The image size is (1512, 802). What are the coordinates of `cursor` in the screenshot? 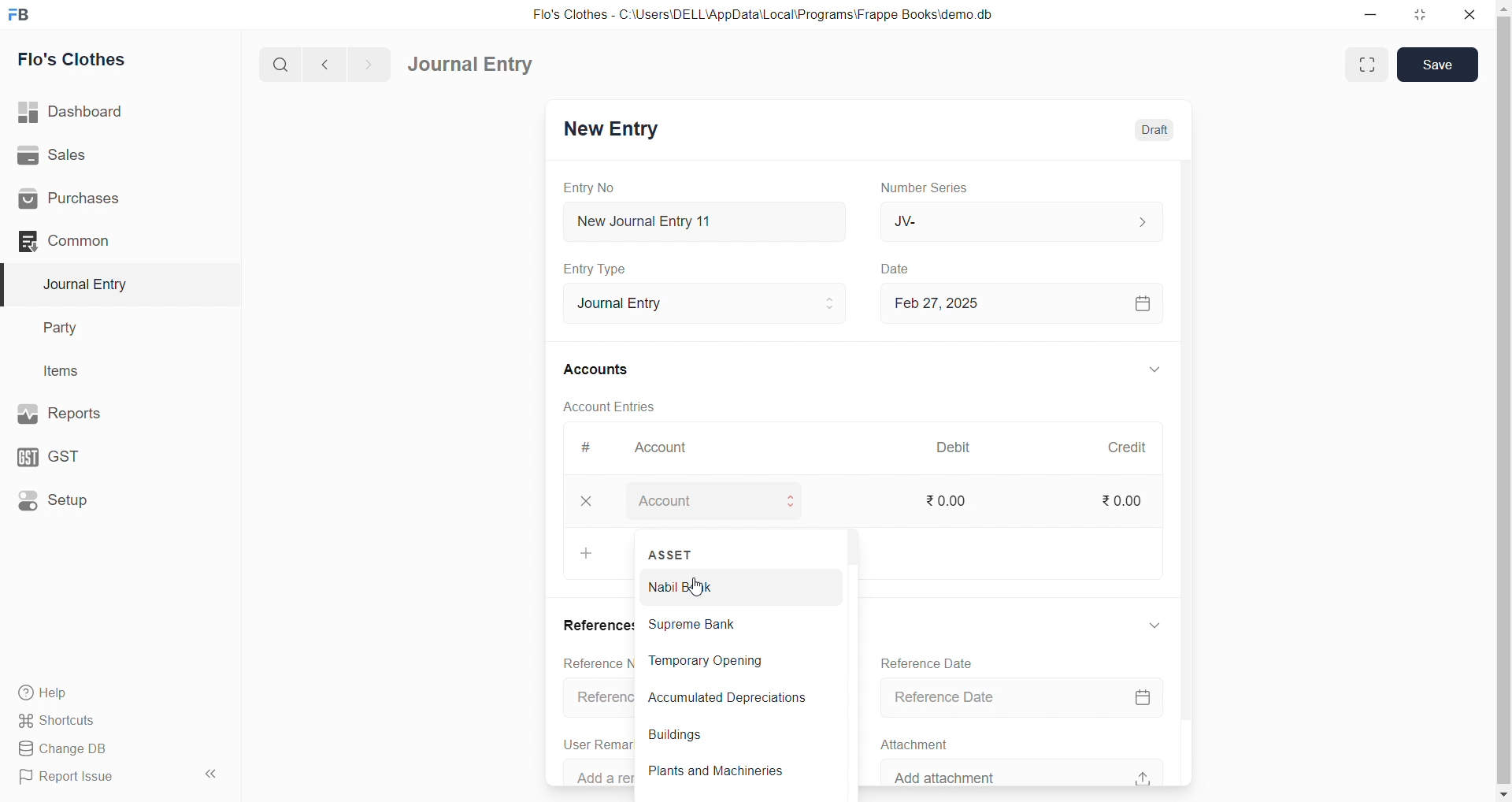 It's located at (693, 589).